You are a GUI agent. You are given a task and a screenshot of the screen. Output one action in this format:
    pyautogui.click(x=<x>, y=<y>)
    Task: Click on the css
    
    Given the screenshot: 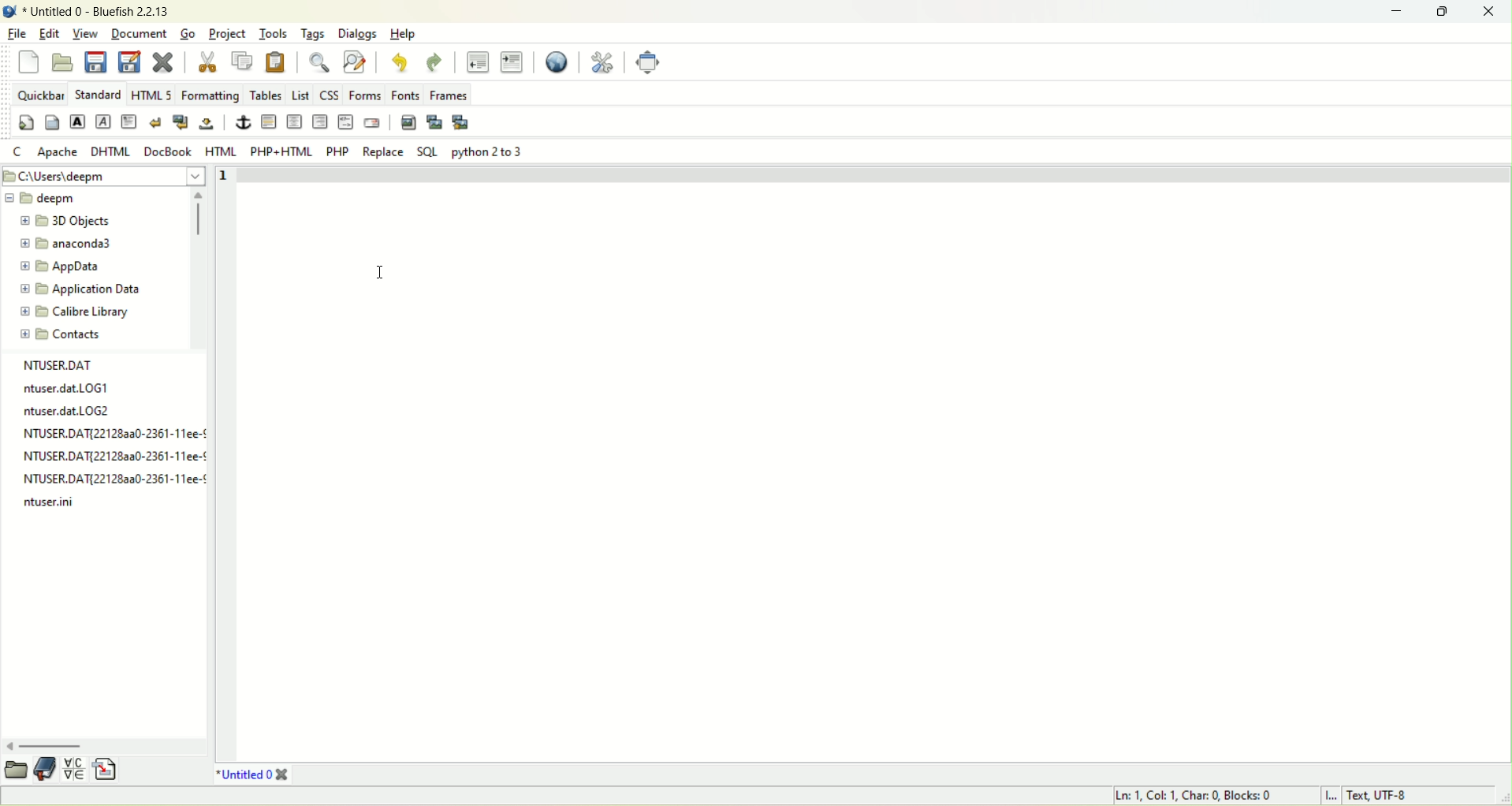 What is the action you would take?
    pyautogui.click(x=330, y=95)
    